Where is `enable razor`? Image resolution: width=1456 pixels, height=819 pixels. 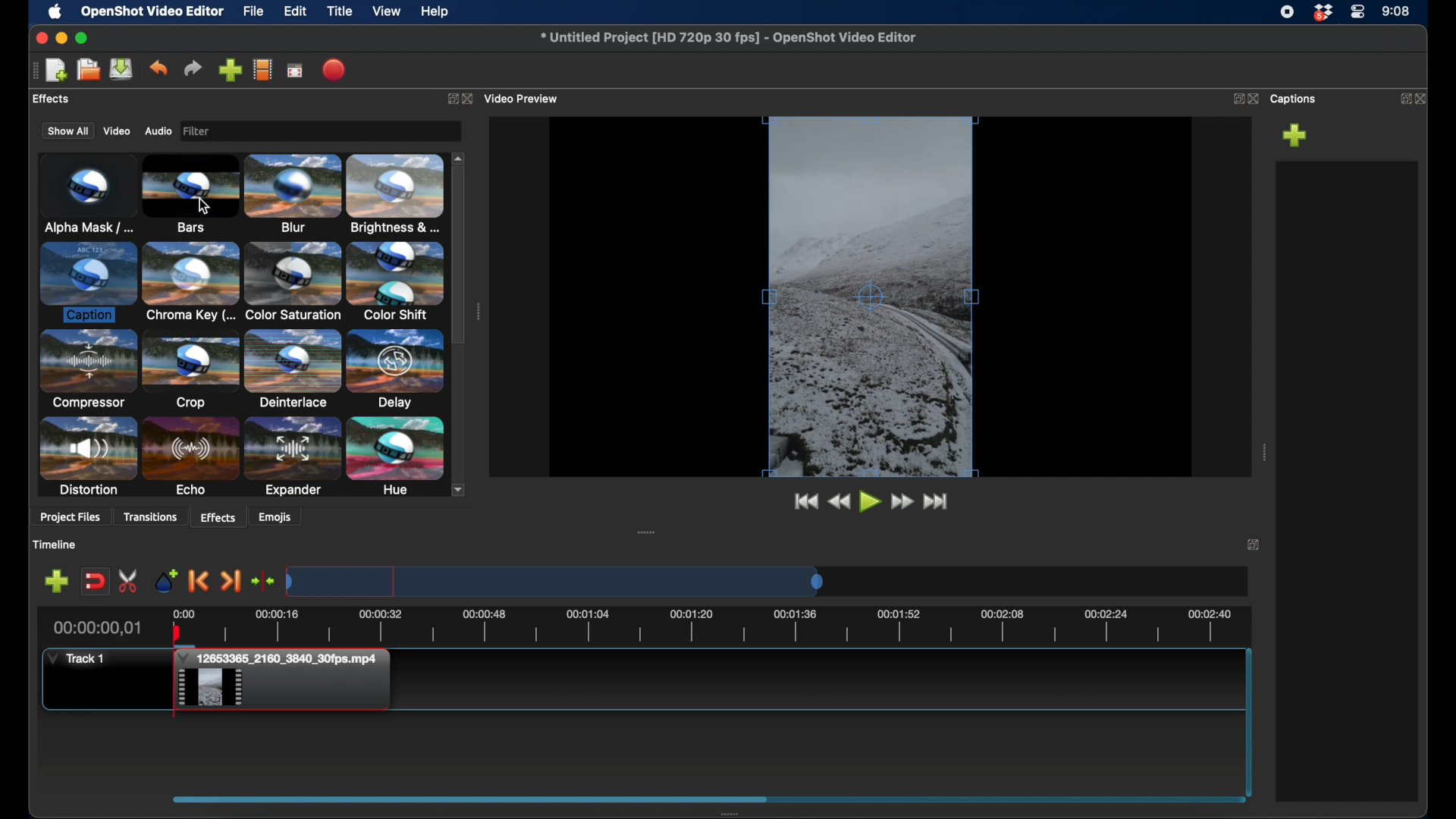
enable razor is located at coordinates (129, 580).